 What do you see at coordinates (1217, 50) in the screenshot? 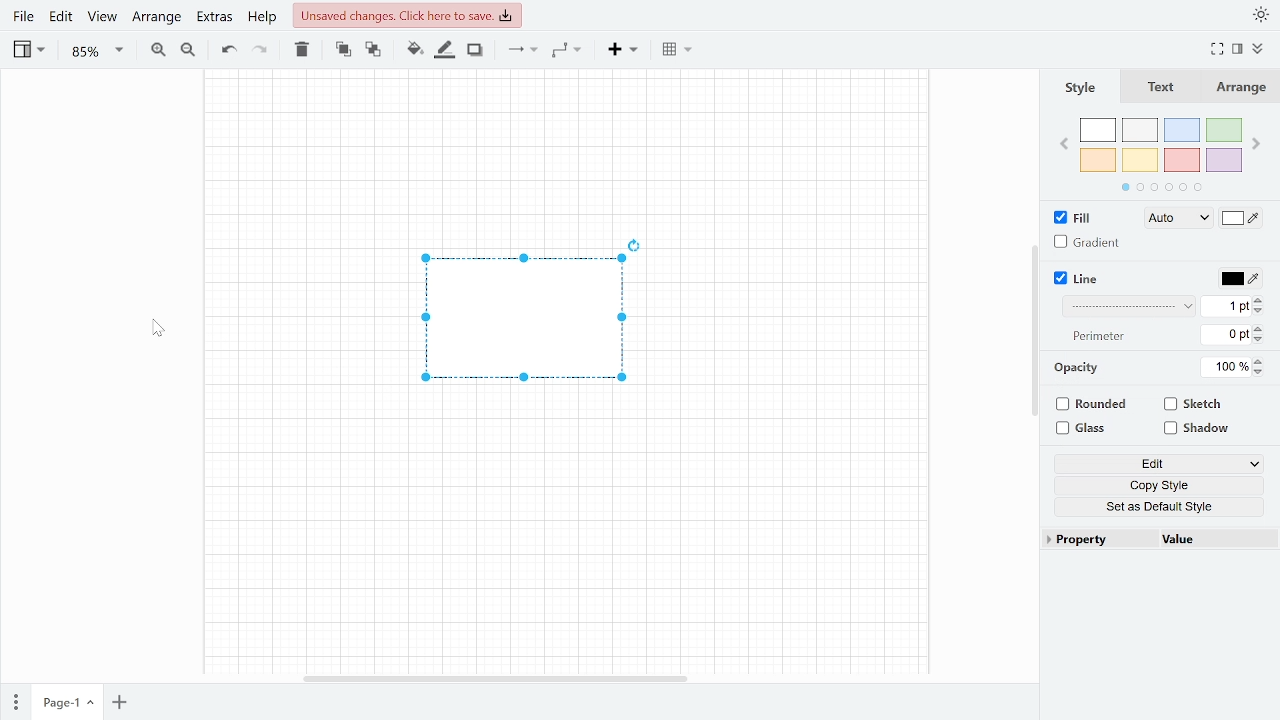
I see `Fullscreen` at bounding box center [1217, 50].